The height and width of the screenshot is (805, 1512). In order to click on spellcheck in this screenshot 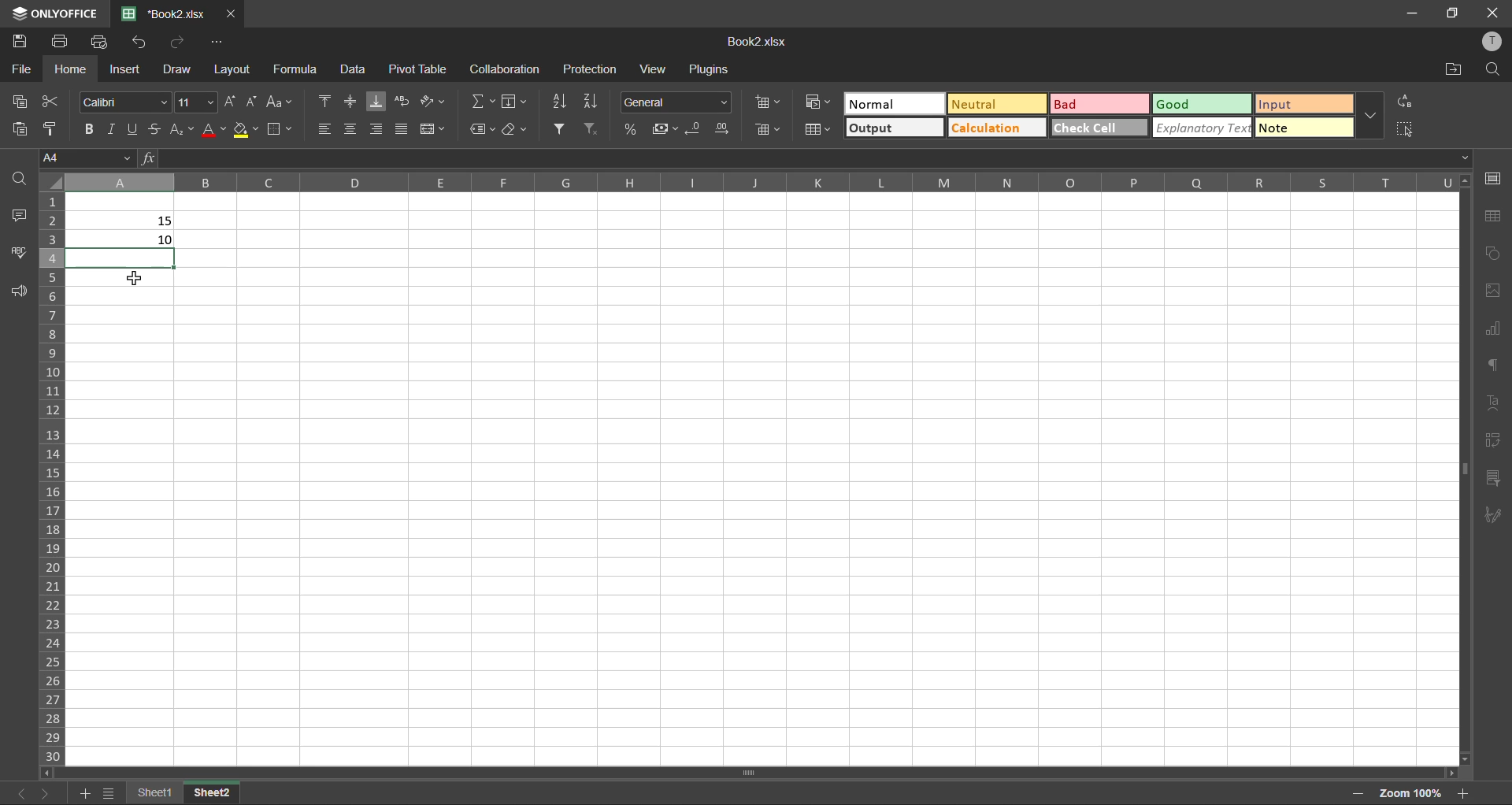, I will do `click(20, 254)`.